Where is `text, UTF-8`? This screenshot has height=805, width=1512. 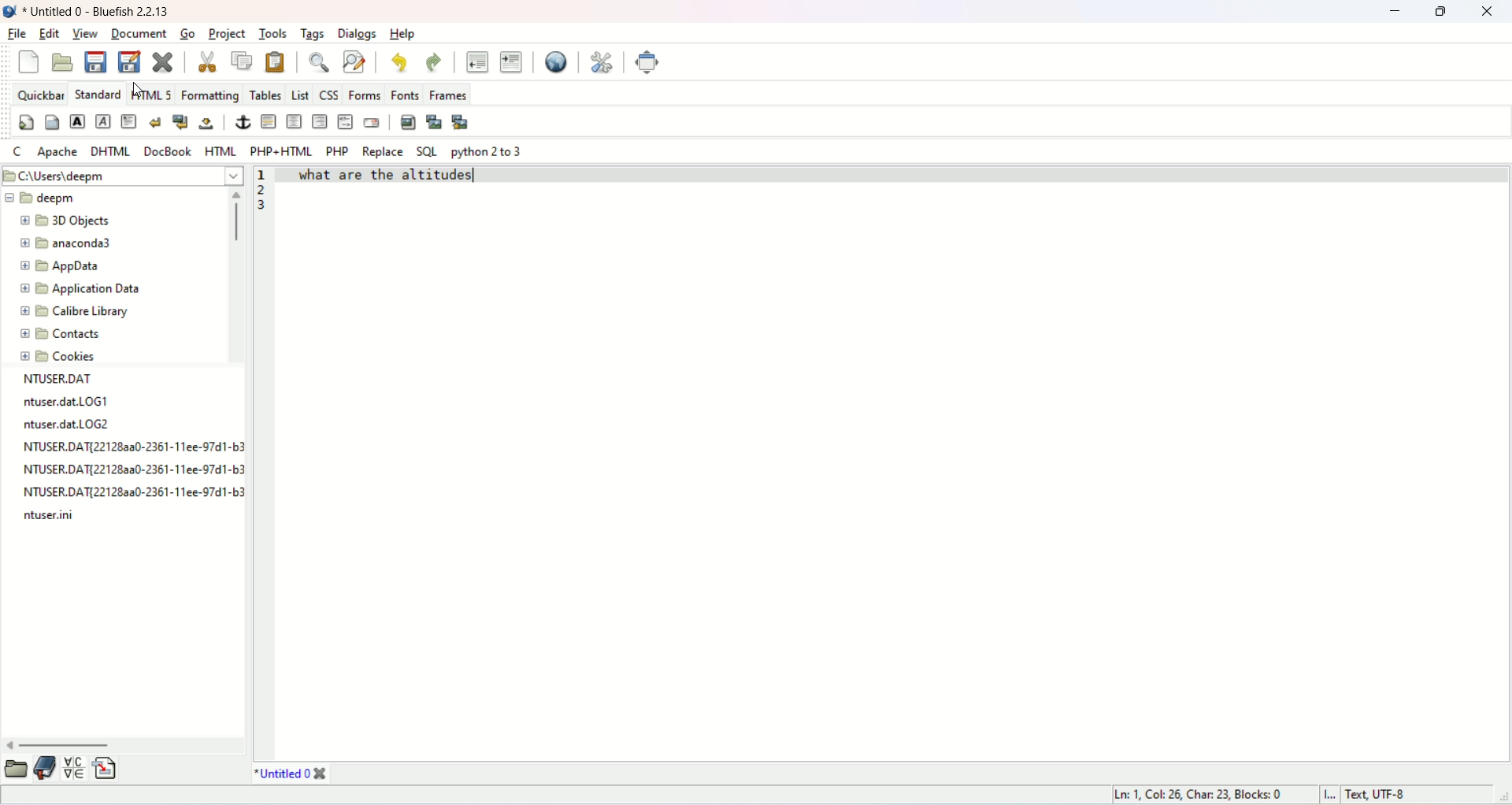
text, UTF-8 is located at coordinates (1401, 795).